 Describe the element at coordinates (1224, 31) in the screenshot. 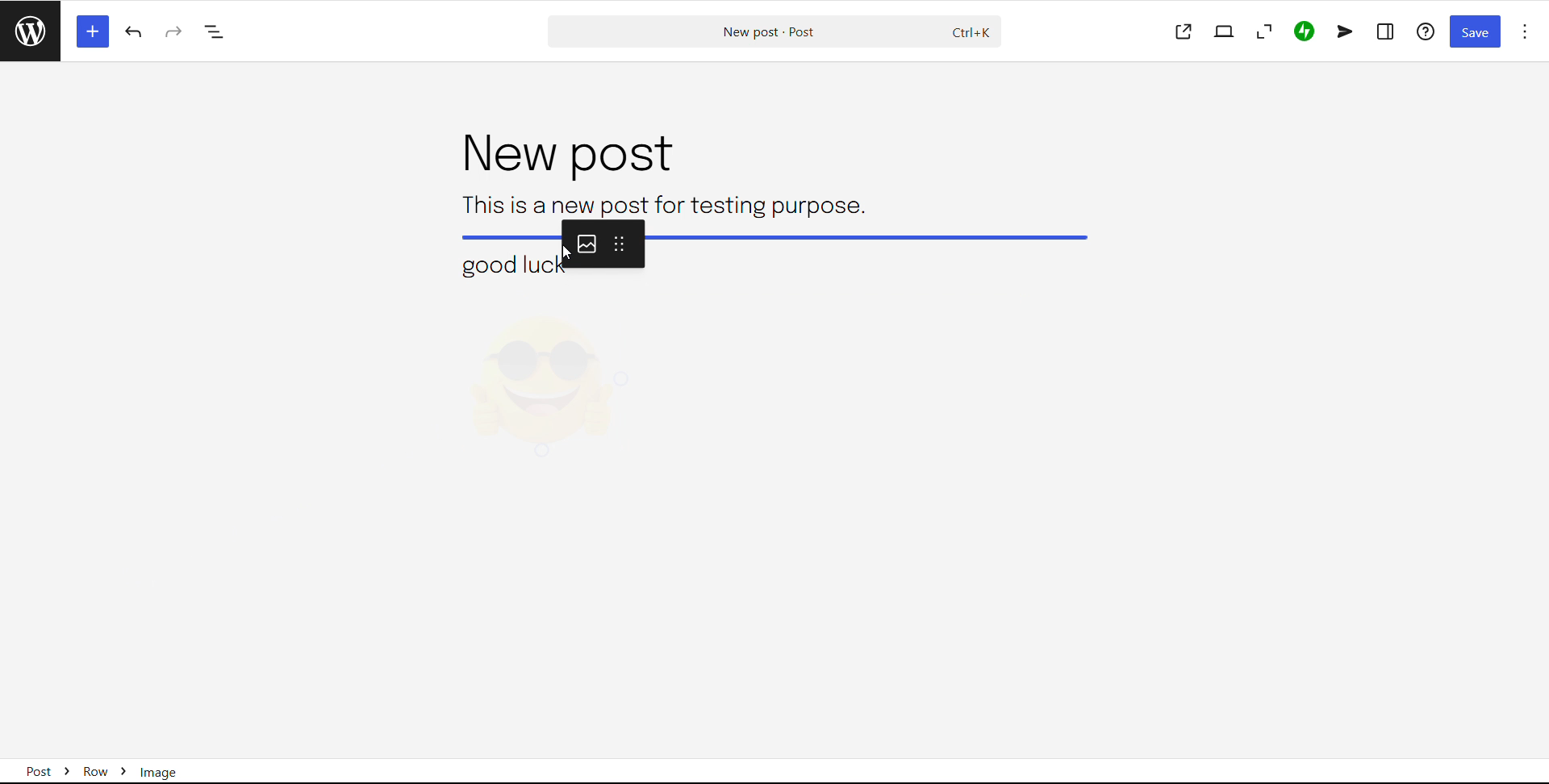

I see `view` at that location.